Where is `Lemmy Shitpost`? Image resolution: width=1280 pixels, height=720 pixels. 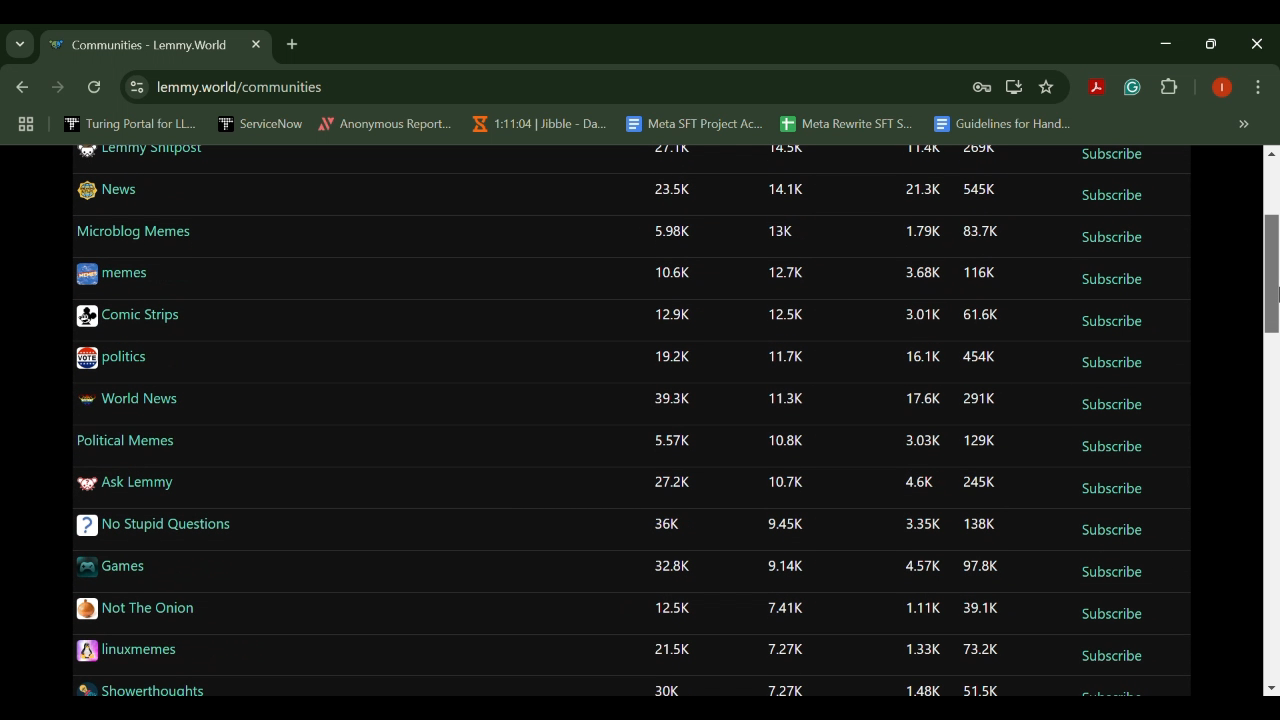
Lemmy Shitpost is located at coordinates (144, 153).